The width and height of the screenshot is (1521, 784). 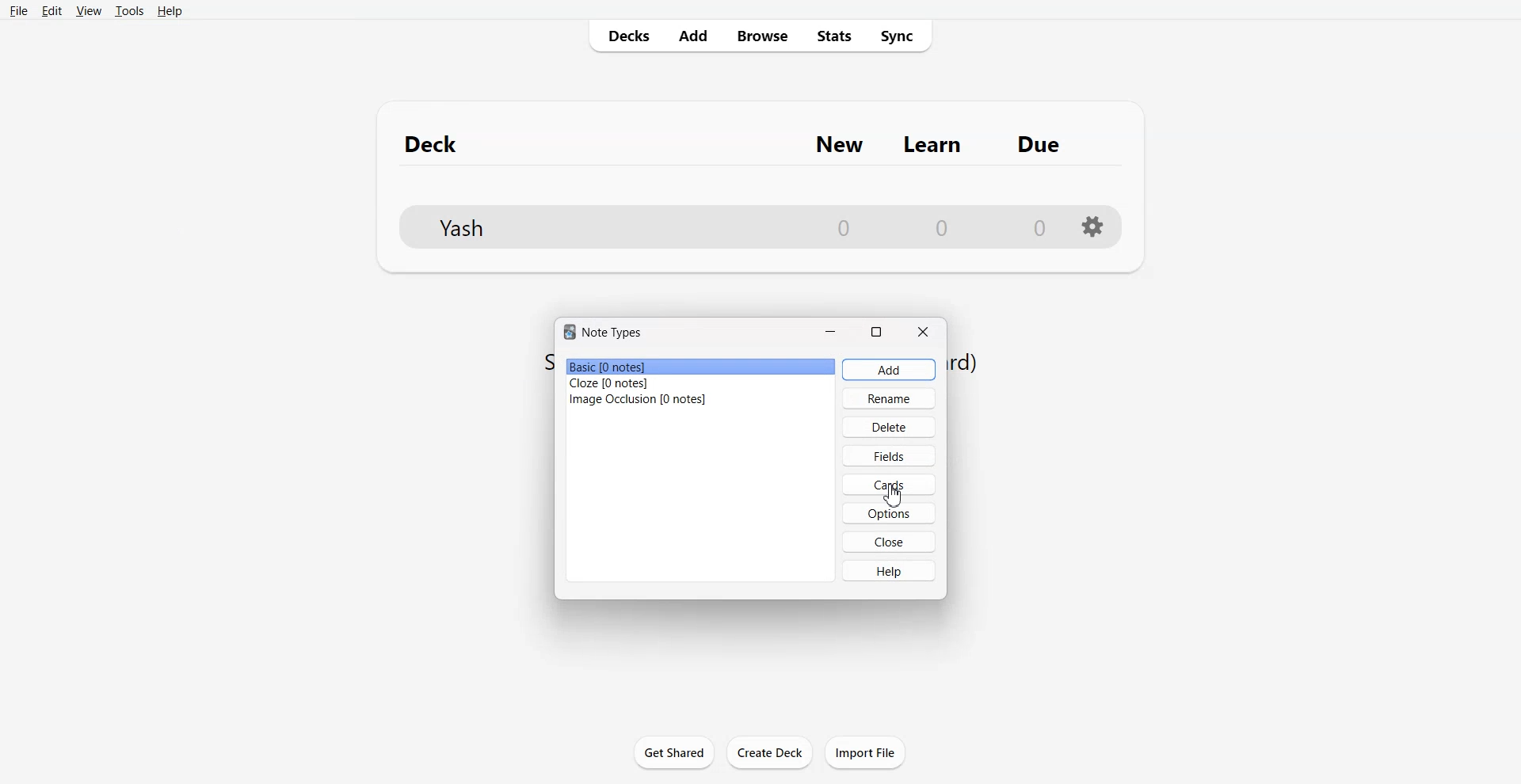 What do you see at coordinates (900, 497) in the screenshot?
I see `cursor` at bounding box center [900, 497].